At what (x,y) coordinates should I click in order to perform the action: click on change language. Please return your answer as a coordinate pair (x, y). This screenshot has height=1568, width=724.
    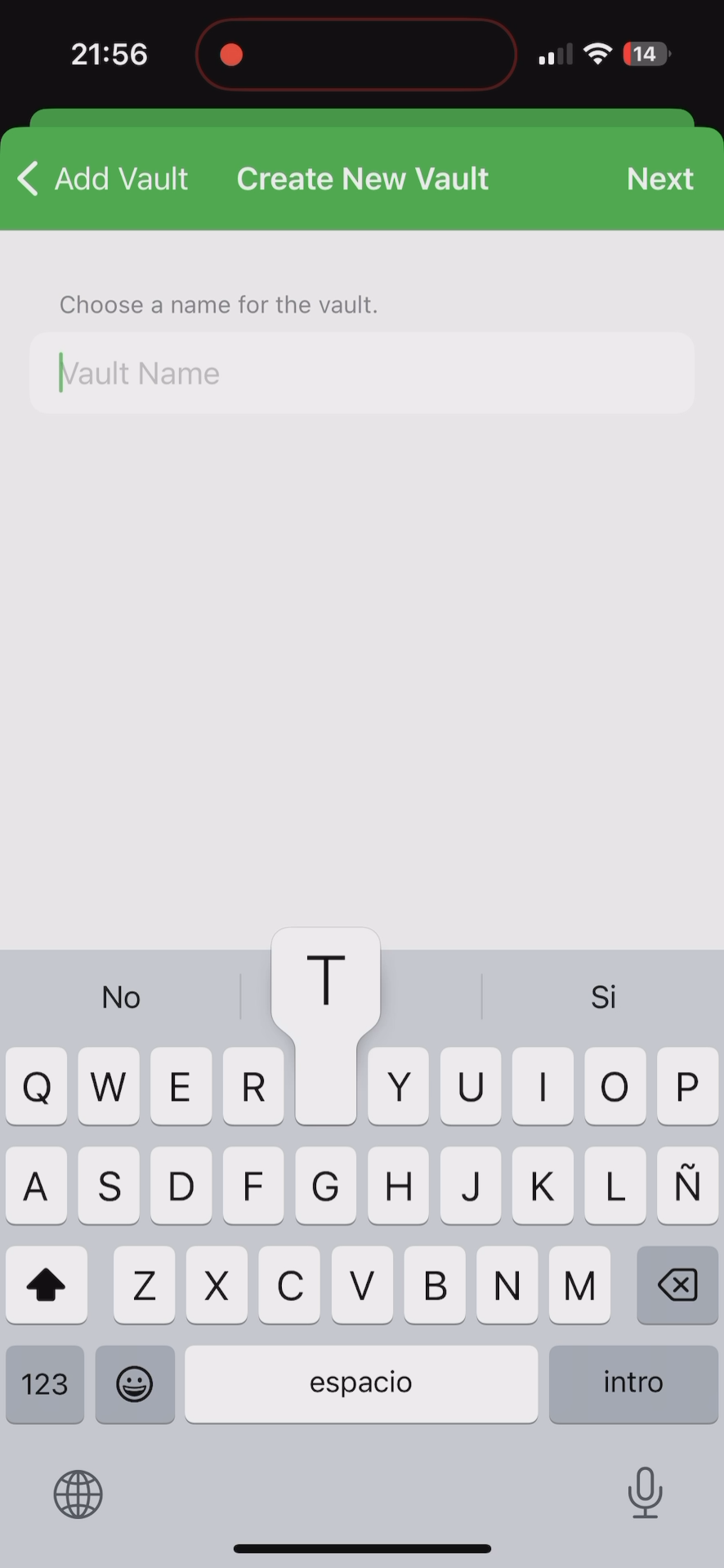
    Looking at the image, I should click on (83, 1496).